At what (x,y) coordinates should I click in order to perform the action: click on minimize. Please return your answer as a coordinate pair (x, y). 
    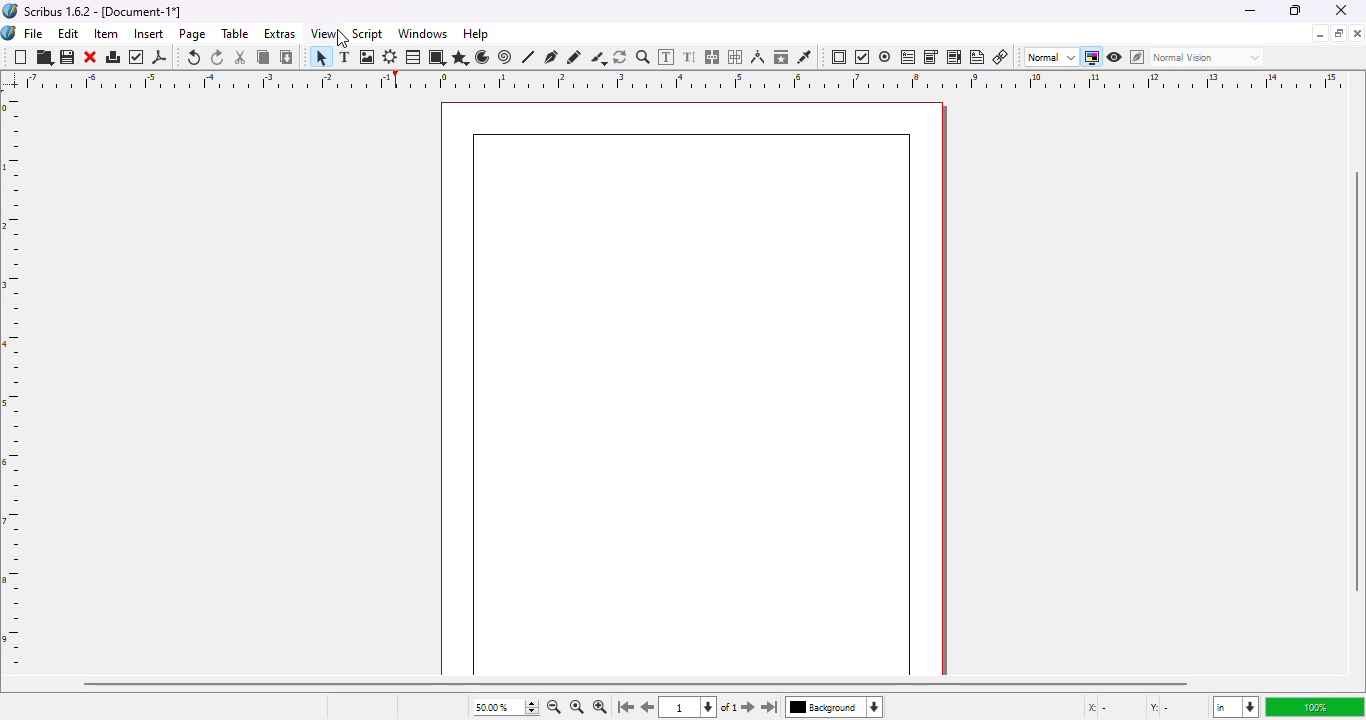
    Looking at the image, I should click on (1249, 10).